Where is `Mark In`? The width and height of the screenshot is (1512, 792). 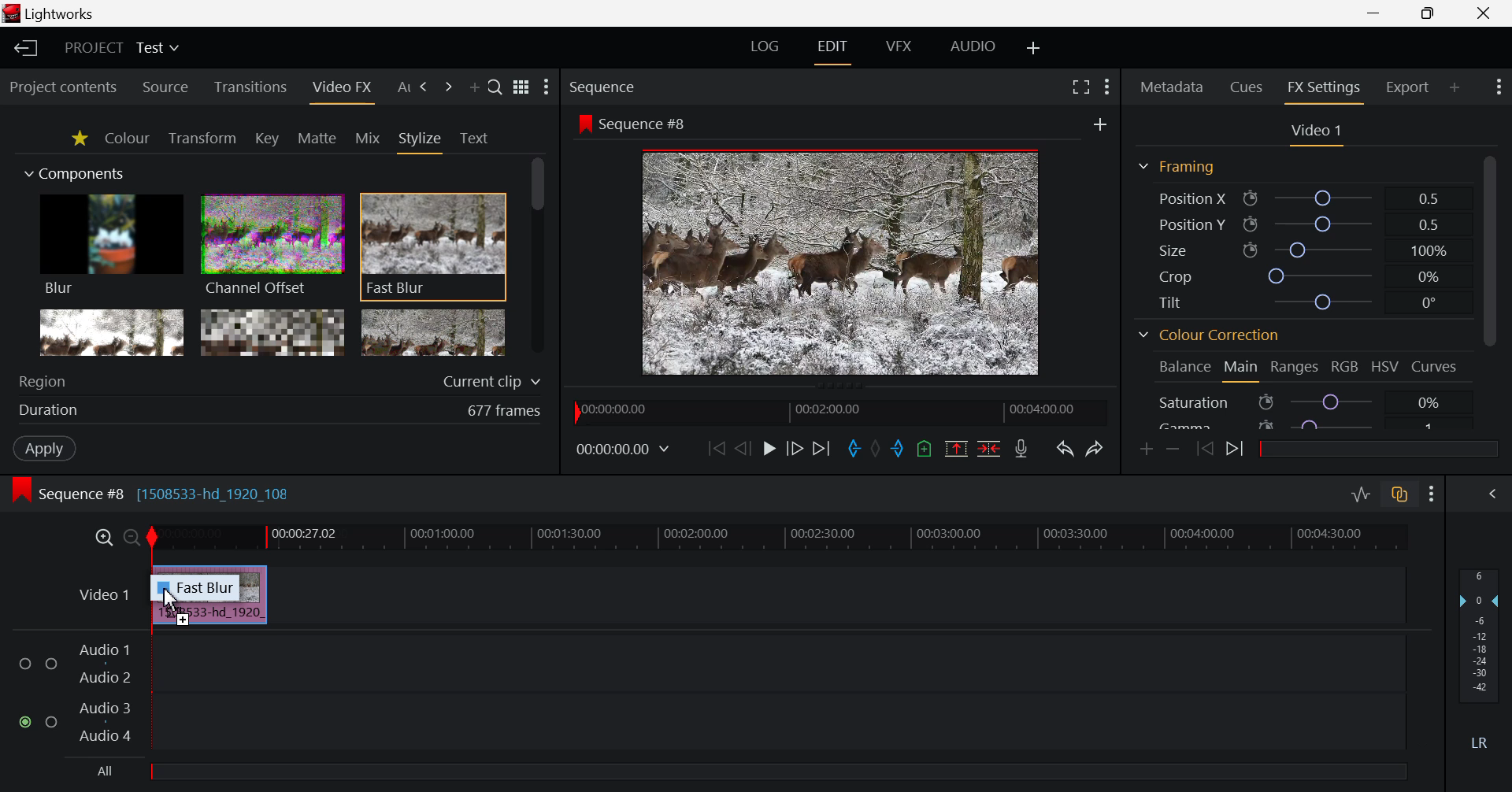
Mark In is located at coordinates (855, 446).